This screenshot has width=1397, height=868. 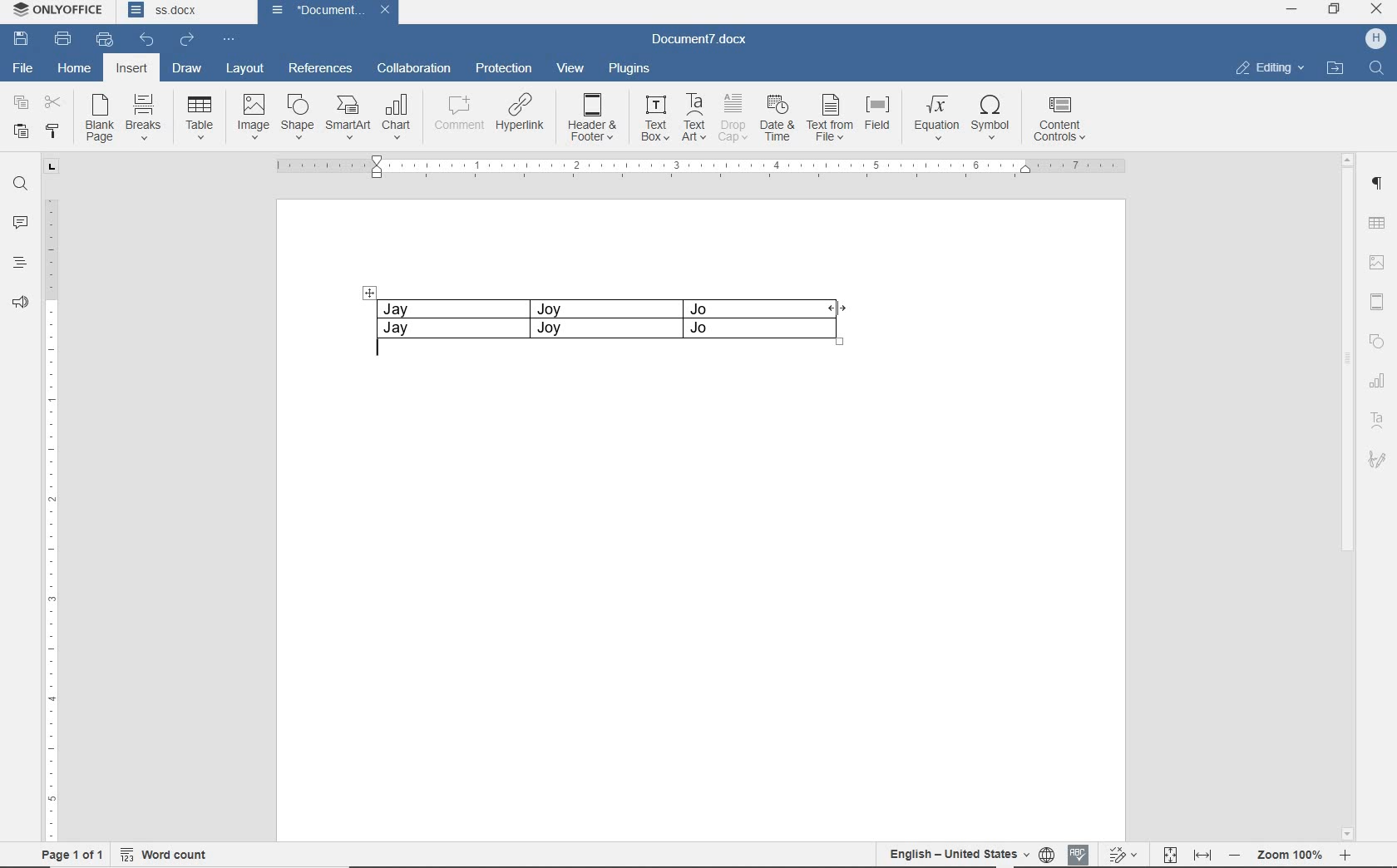 I want to click on REDO, so click(x=187, y=40).